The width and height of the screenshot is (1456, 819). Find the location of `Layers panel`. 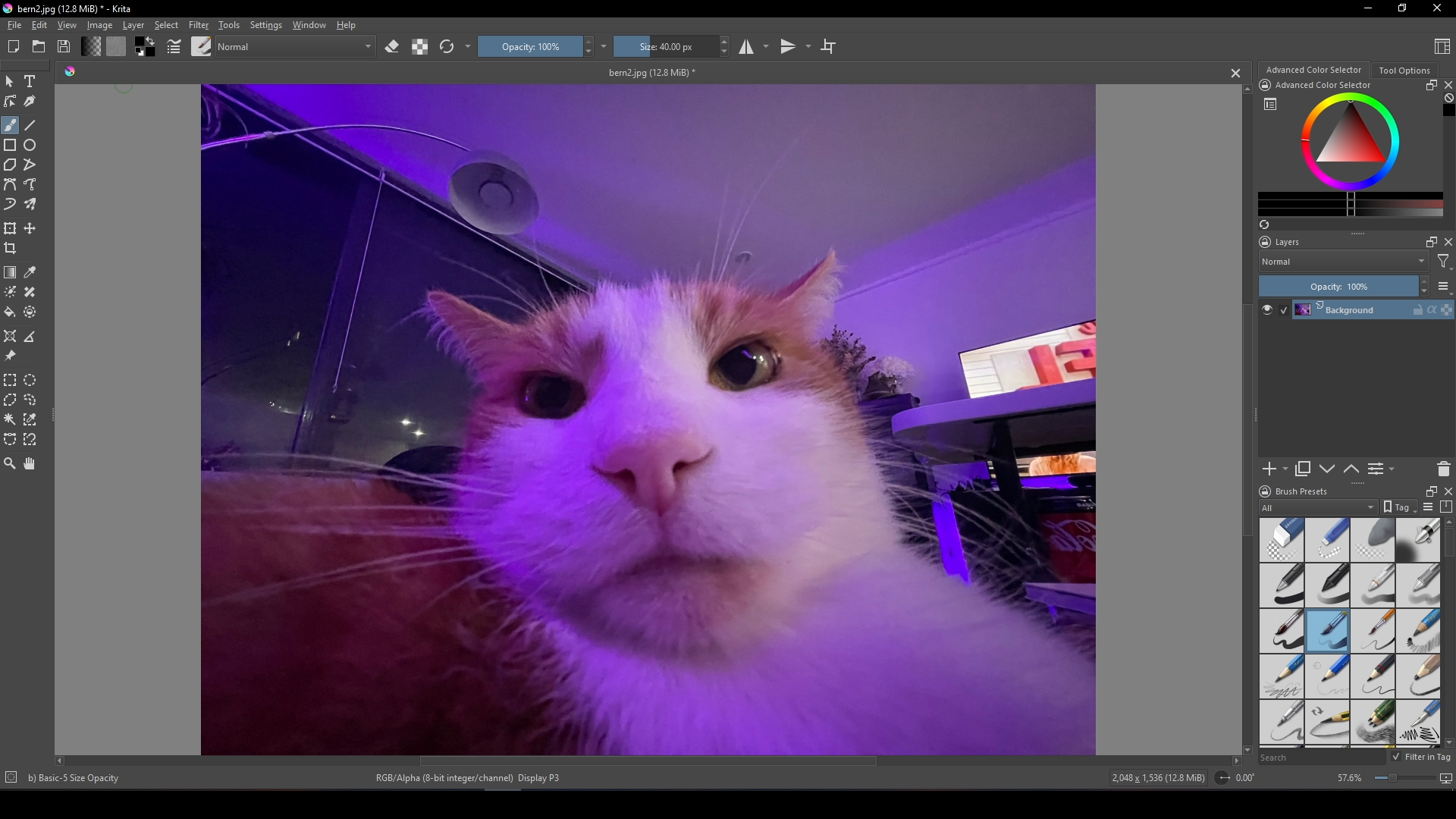

Layers panel is located at coordinates (1360, 388).